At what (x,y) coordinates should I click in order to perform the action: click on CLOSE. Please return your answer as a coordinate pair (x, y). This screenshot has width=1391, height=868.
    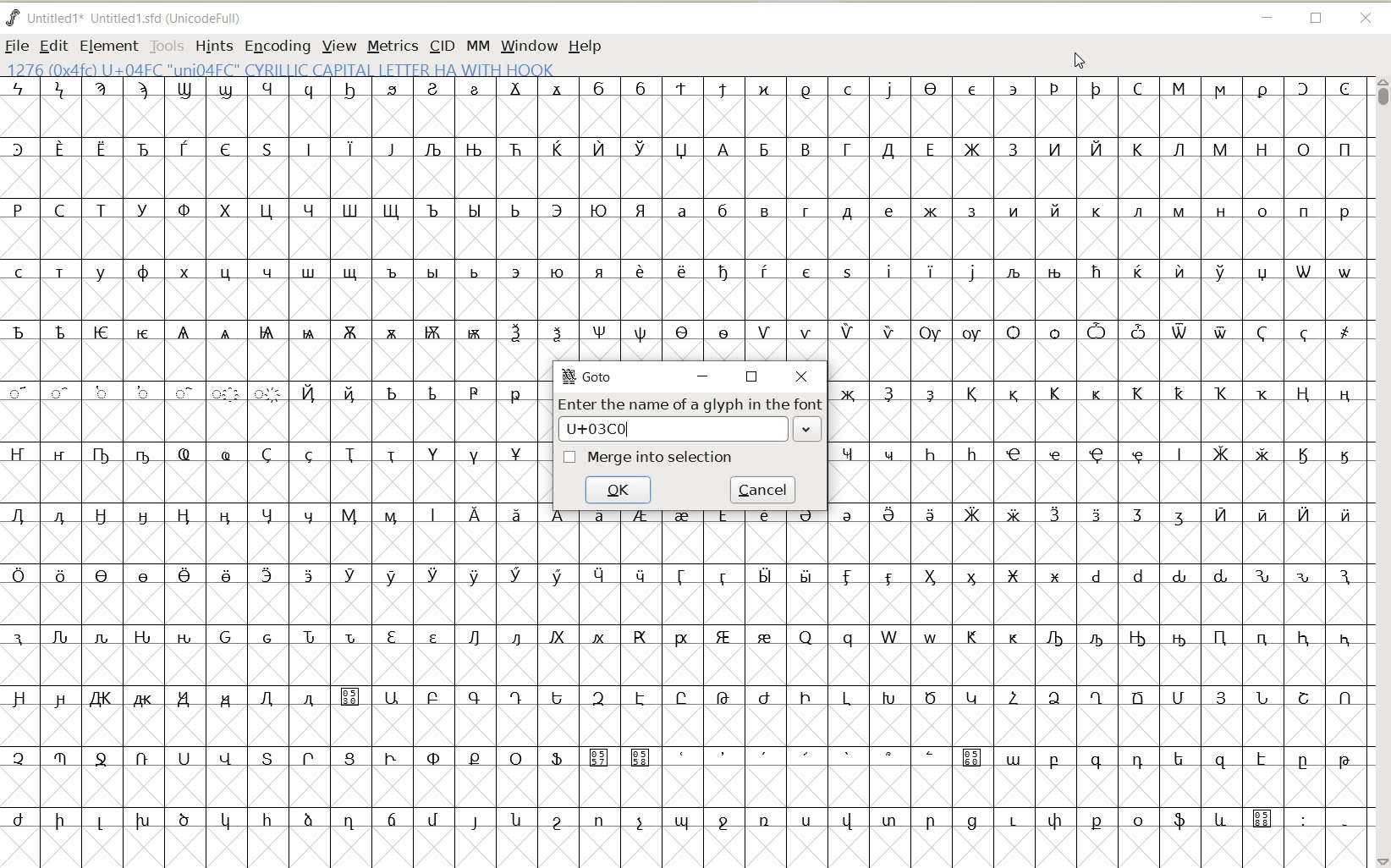
    Looking at the image, I should click on (1369, 19).